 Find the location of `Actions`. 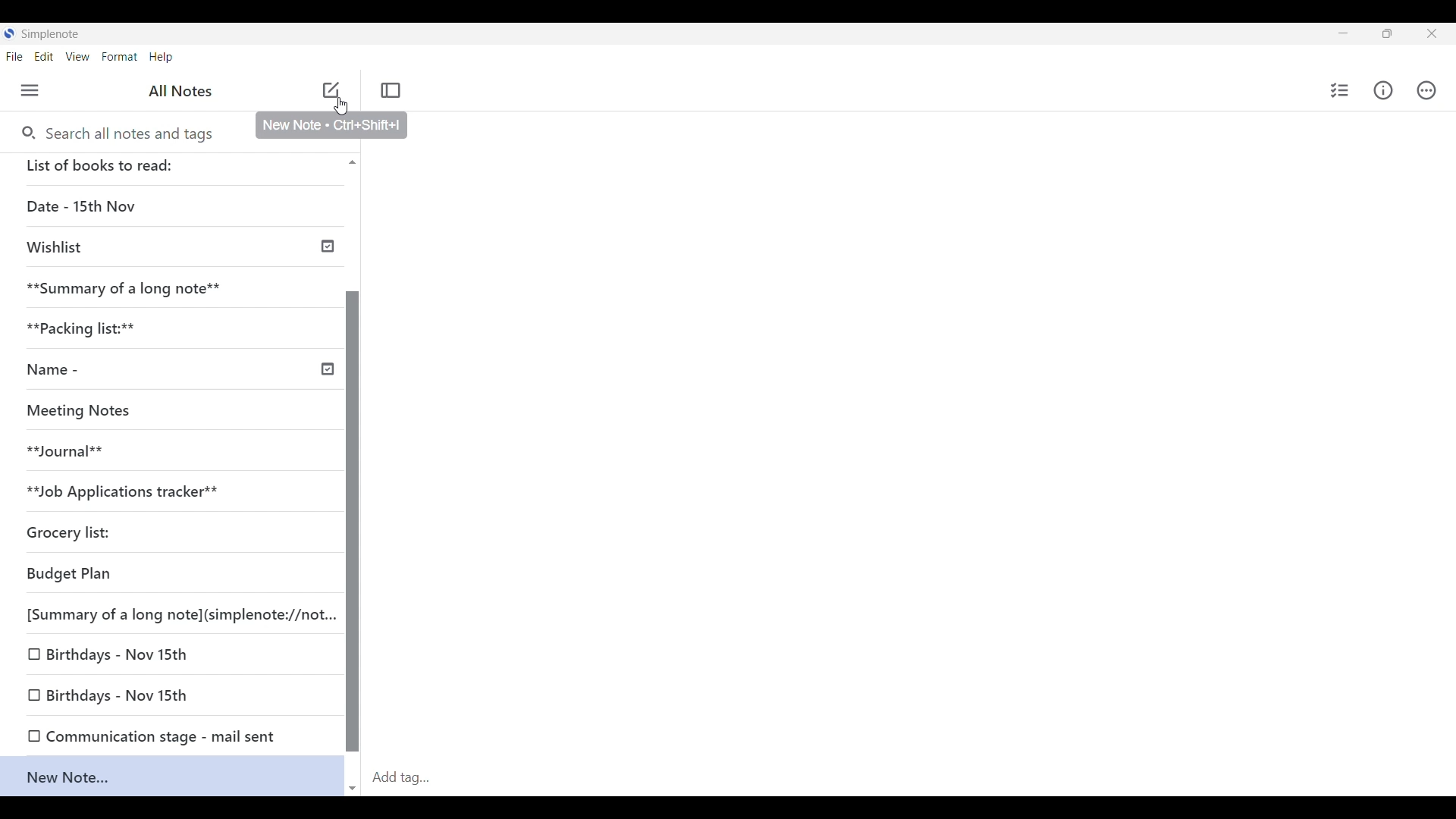

Actions is located at coordinates (1433, 90).